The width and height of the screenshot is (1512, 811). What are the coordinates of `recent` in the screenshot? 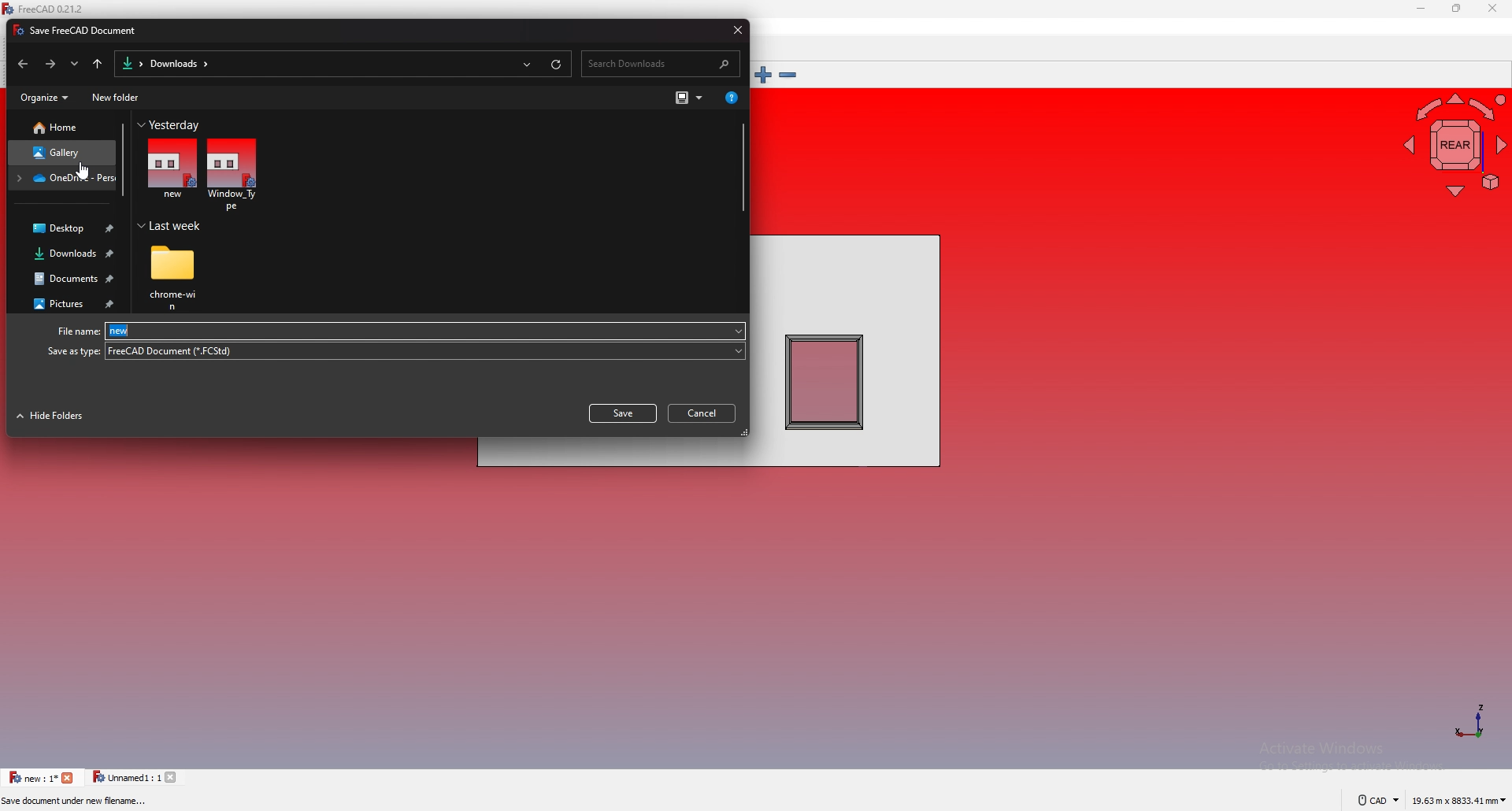 It's located at (73, 63).